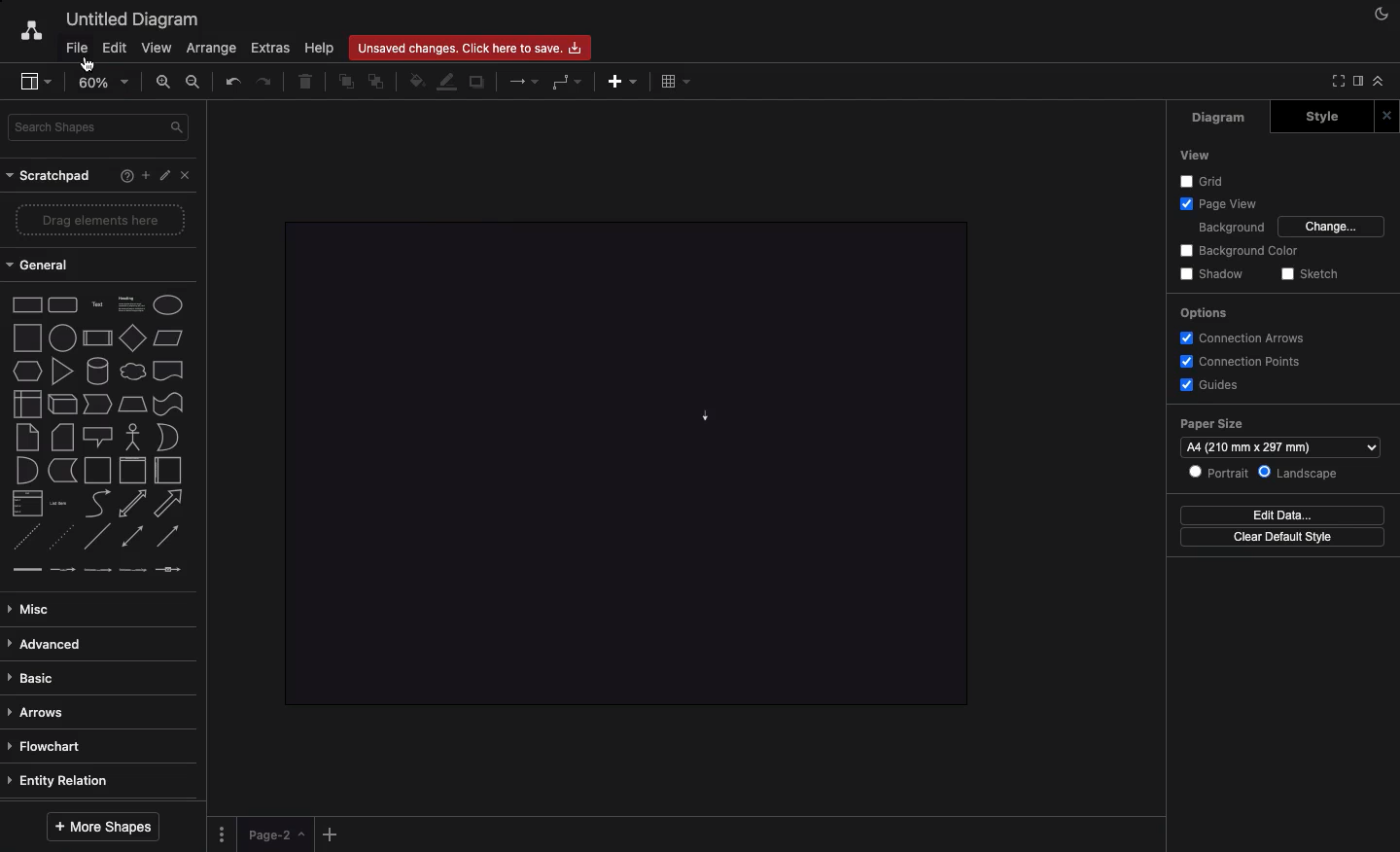 This screenshot has width=1400, height=852. I want to click on Background color, so click(1241, 251).